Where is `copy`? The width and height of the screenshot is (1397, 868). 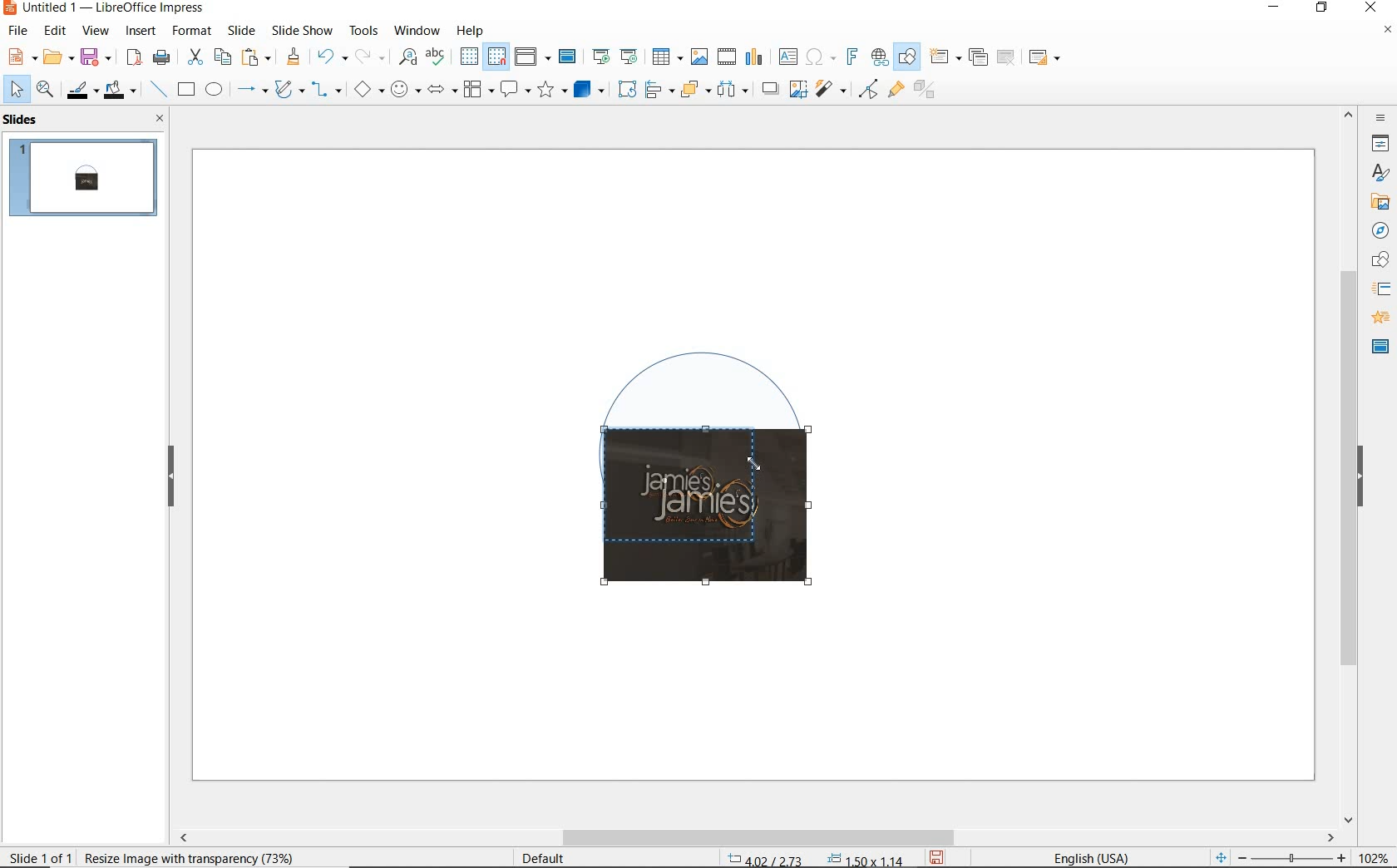
copy is located at coordinates (222, 57).